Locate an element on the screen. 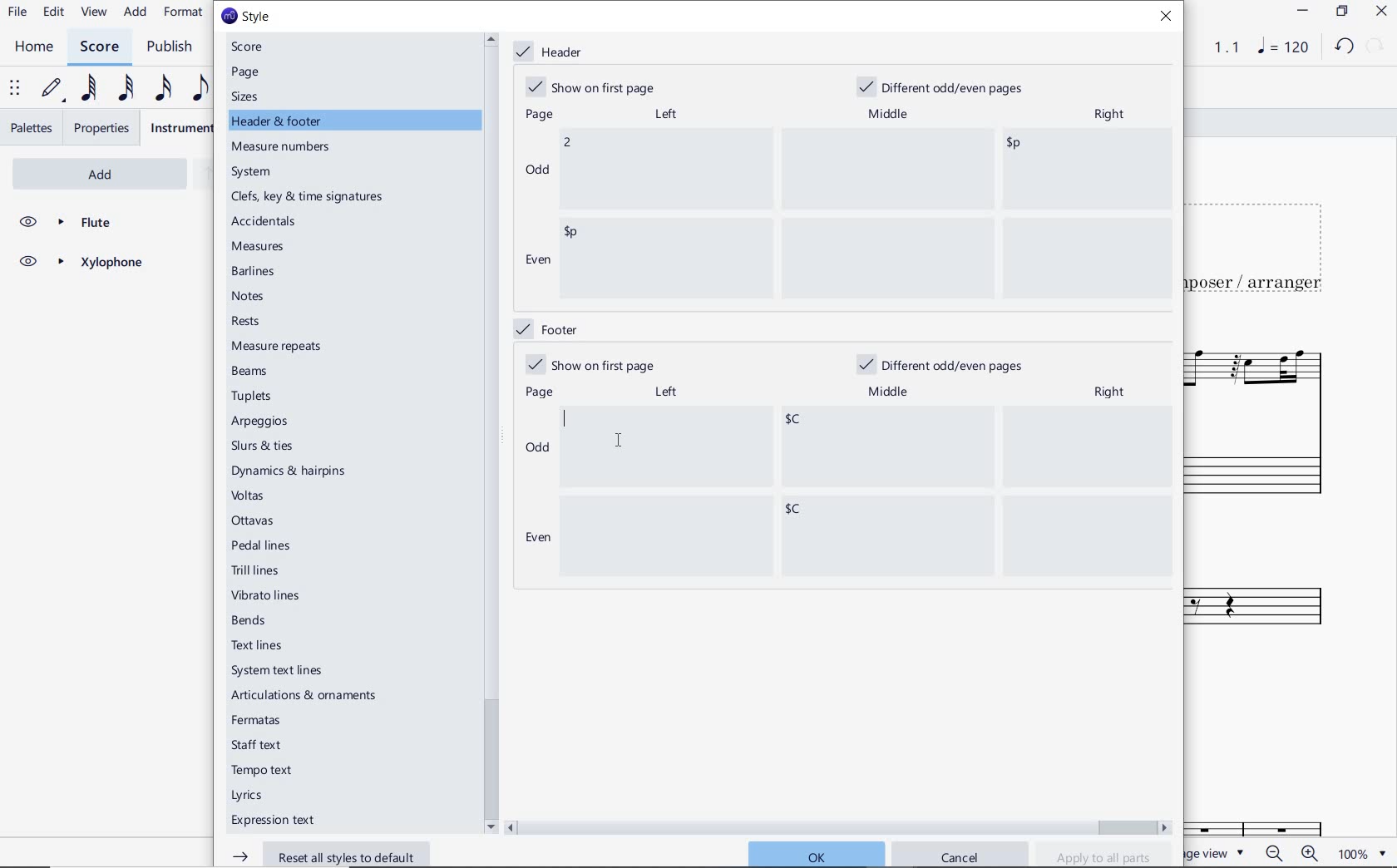 The height and width of the screenshot is (868, 1397). Xylophone is located at coordinates (1272, 588).